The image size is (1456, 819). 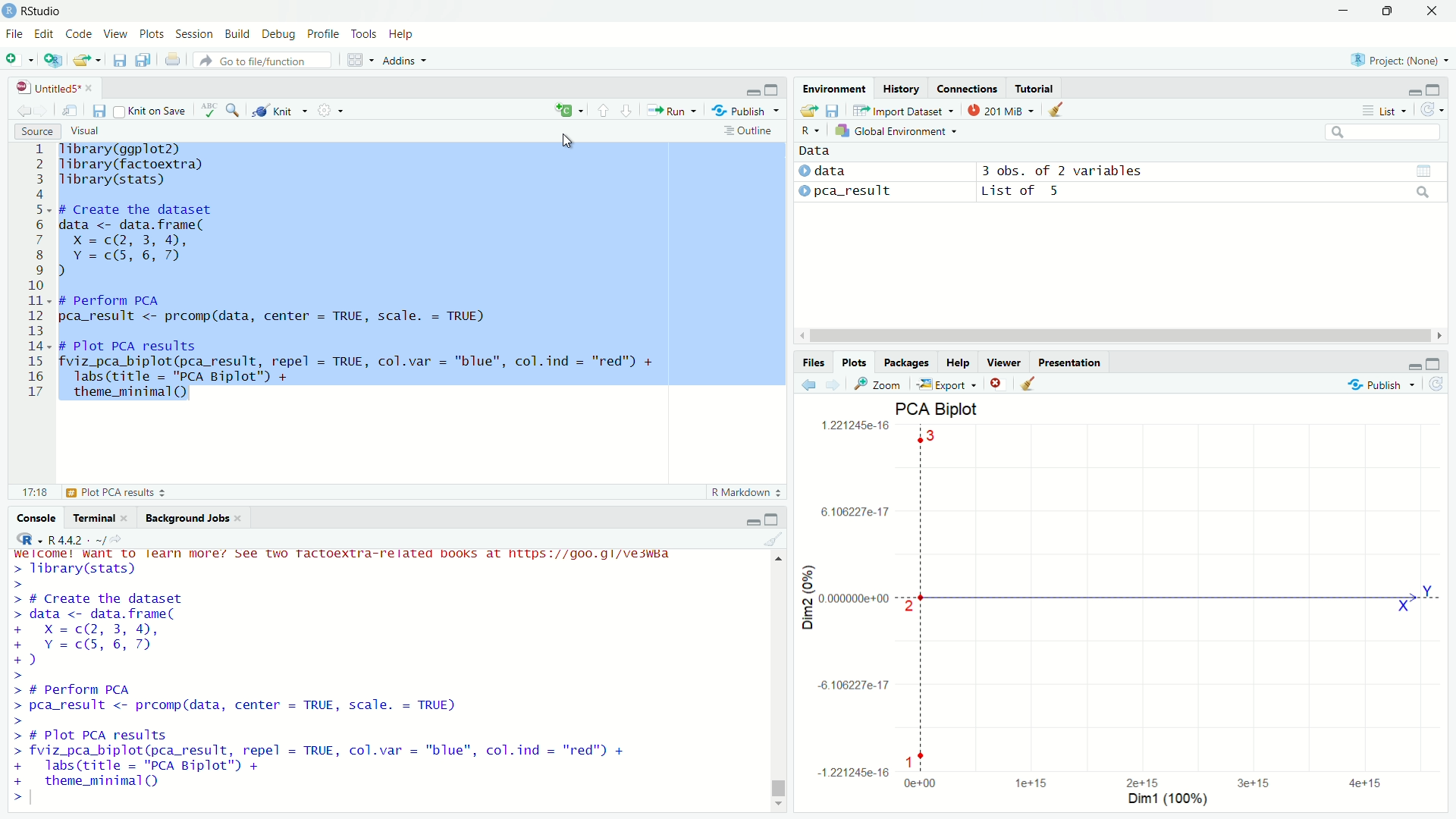 What do you see at coordinates (35, 130) in the screenshot?
I see `source` at bounding box center [35, 130].